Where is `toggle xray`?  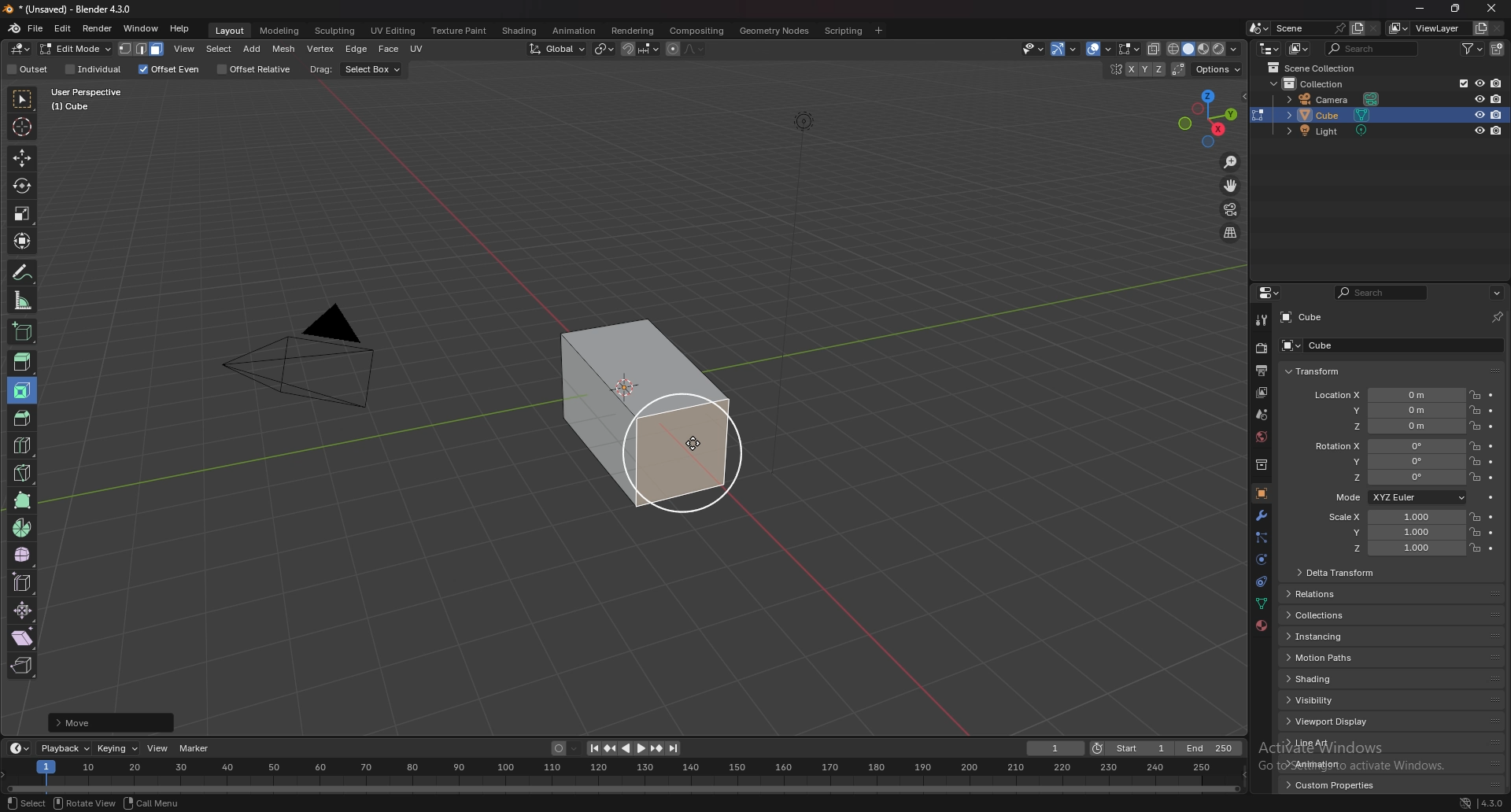
toggle xray is located at coordinates (1155, 50).